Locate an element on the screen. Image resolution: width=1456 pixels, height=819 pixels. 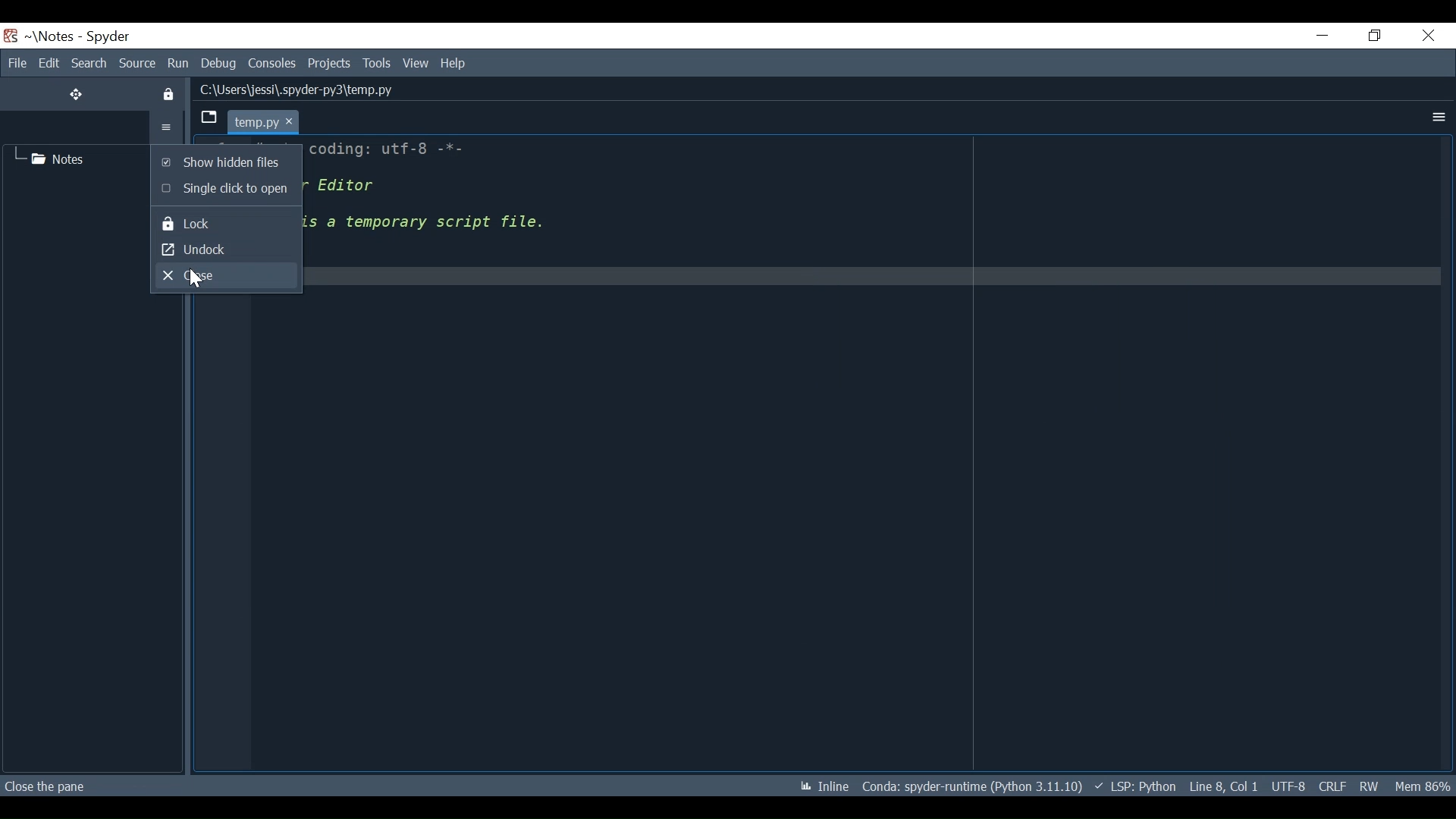
UTF-8 is located at coordinates (1287, 787).